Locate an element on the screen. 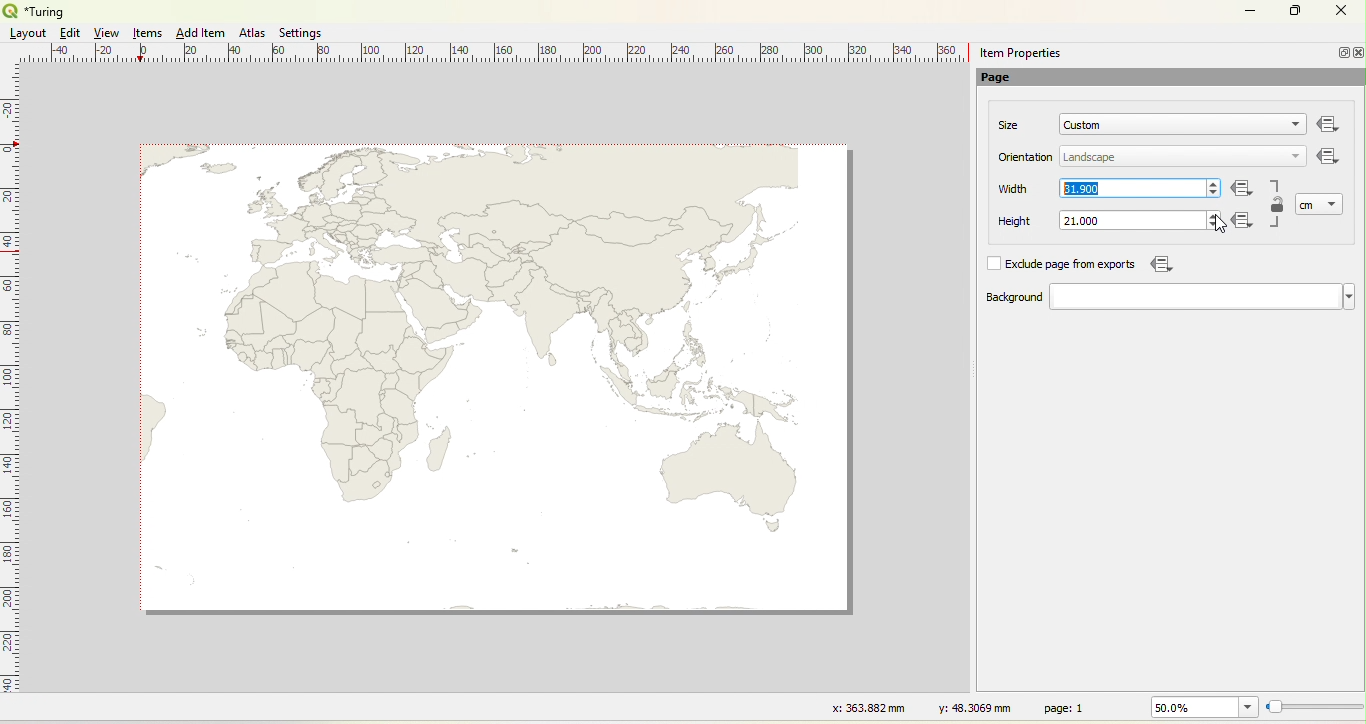  item properties is located at coordinates (1020, 53).